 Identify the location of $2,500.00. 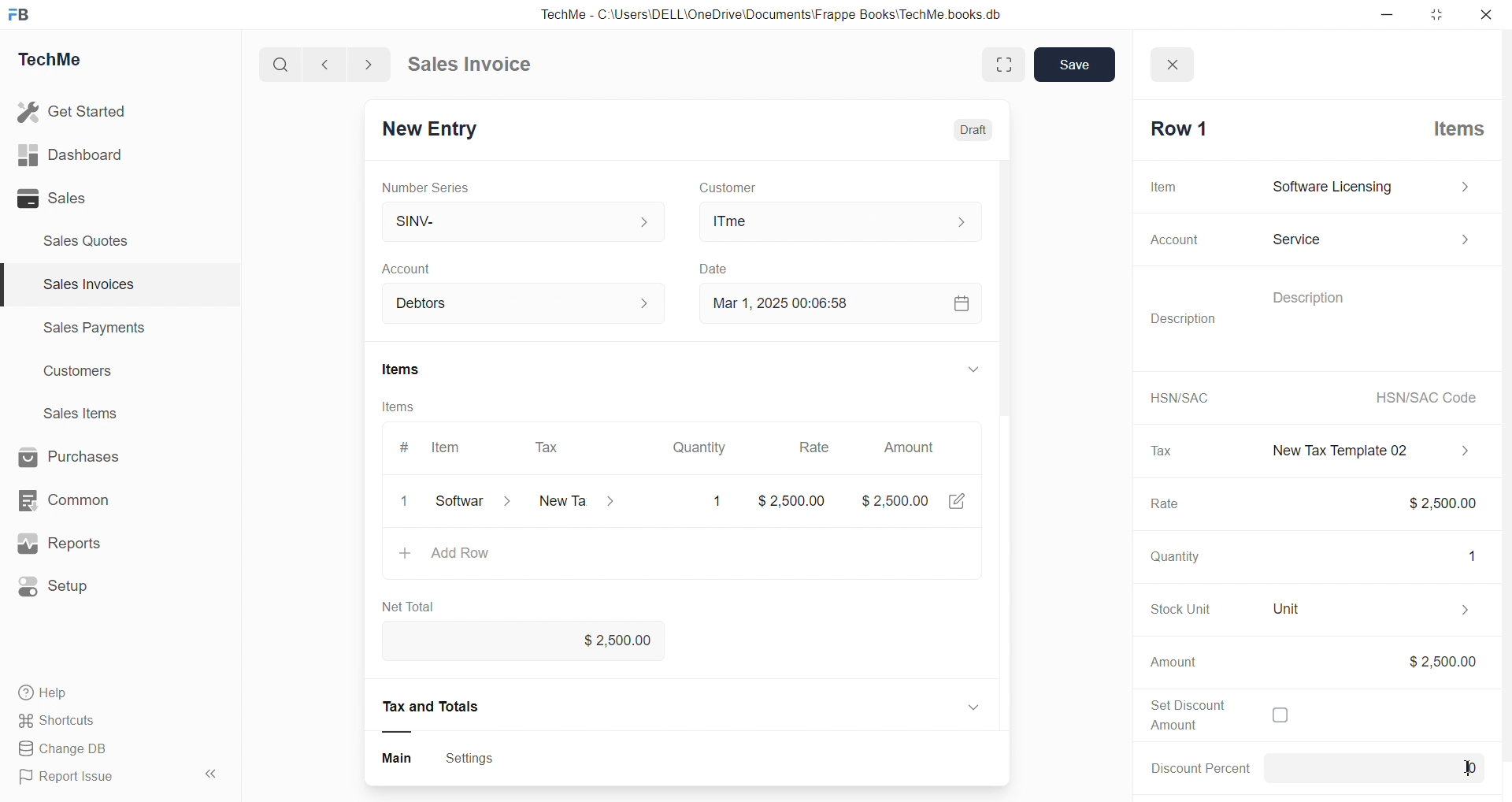
(795, 500).